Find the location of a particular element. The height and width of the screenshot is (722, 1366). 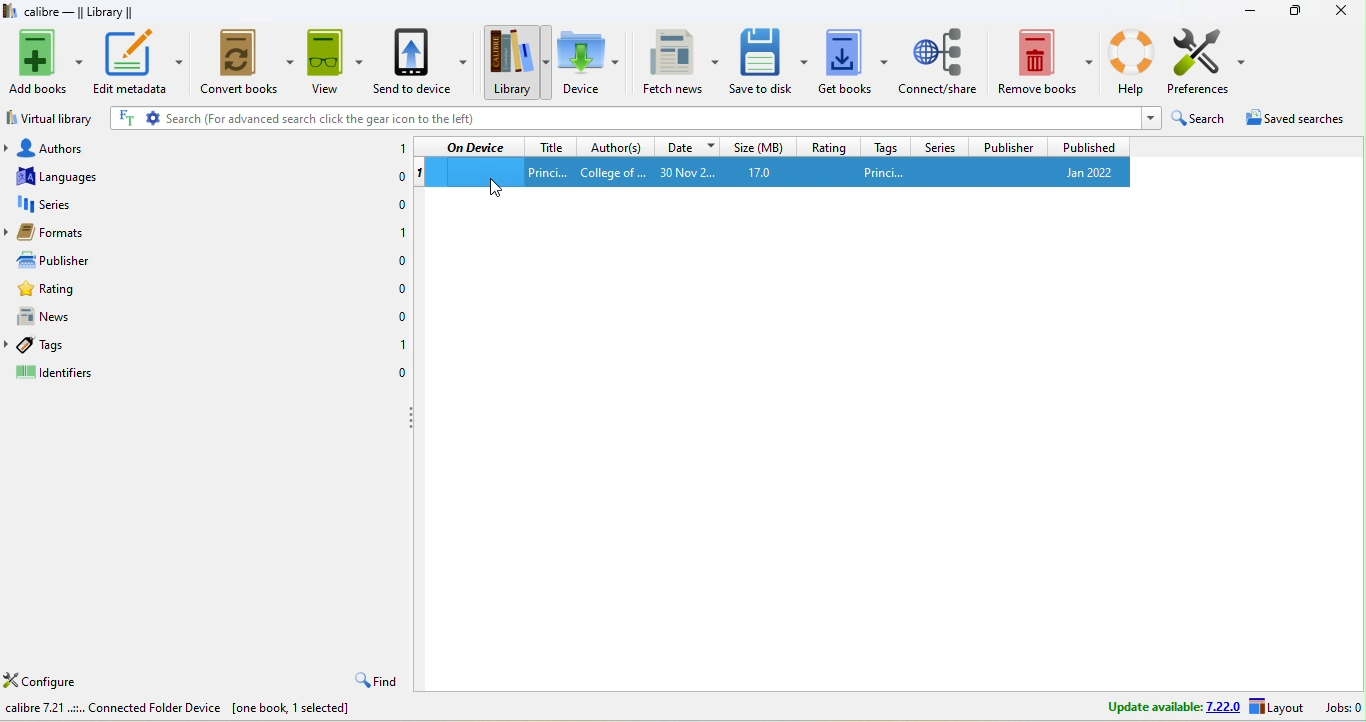

virtual library is located at coordinates (53, 117).